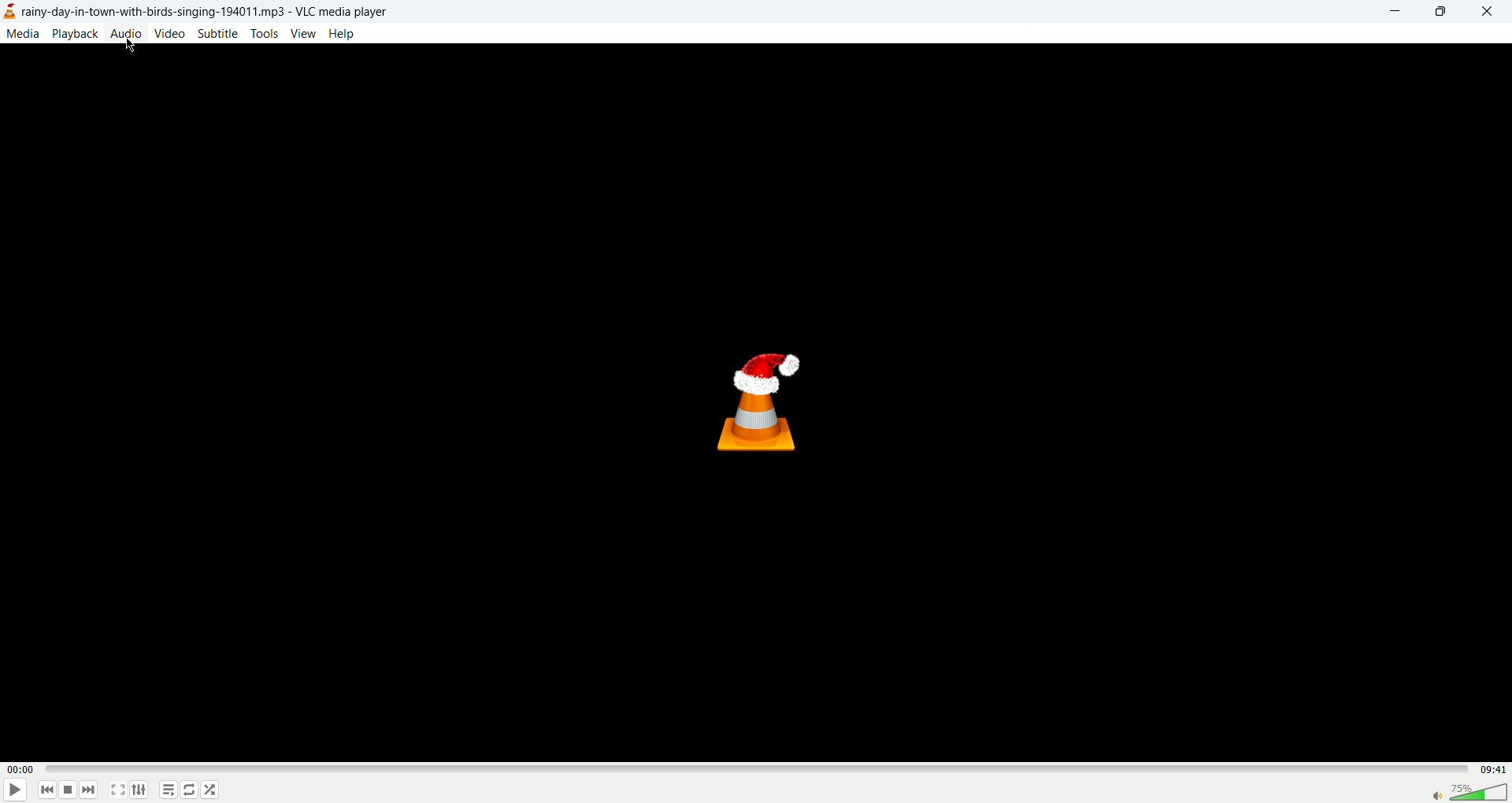 The height and width of the screenshot is (803, 1512). Describe the element at coordinates (169, 792) in the screenshot. I see `playlist` at that location.